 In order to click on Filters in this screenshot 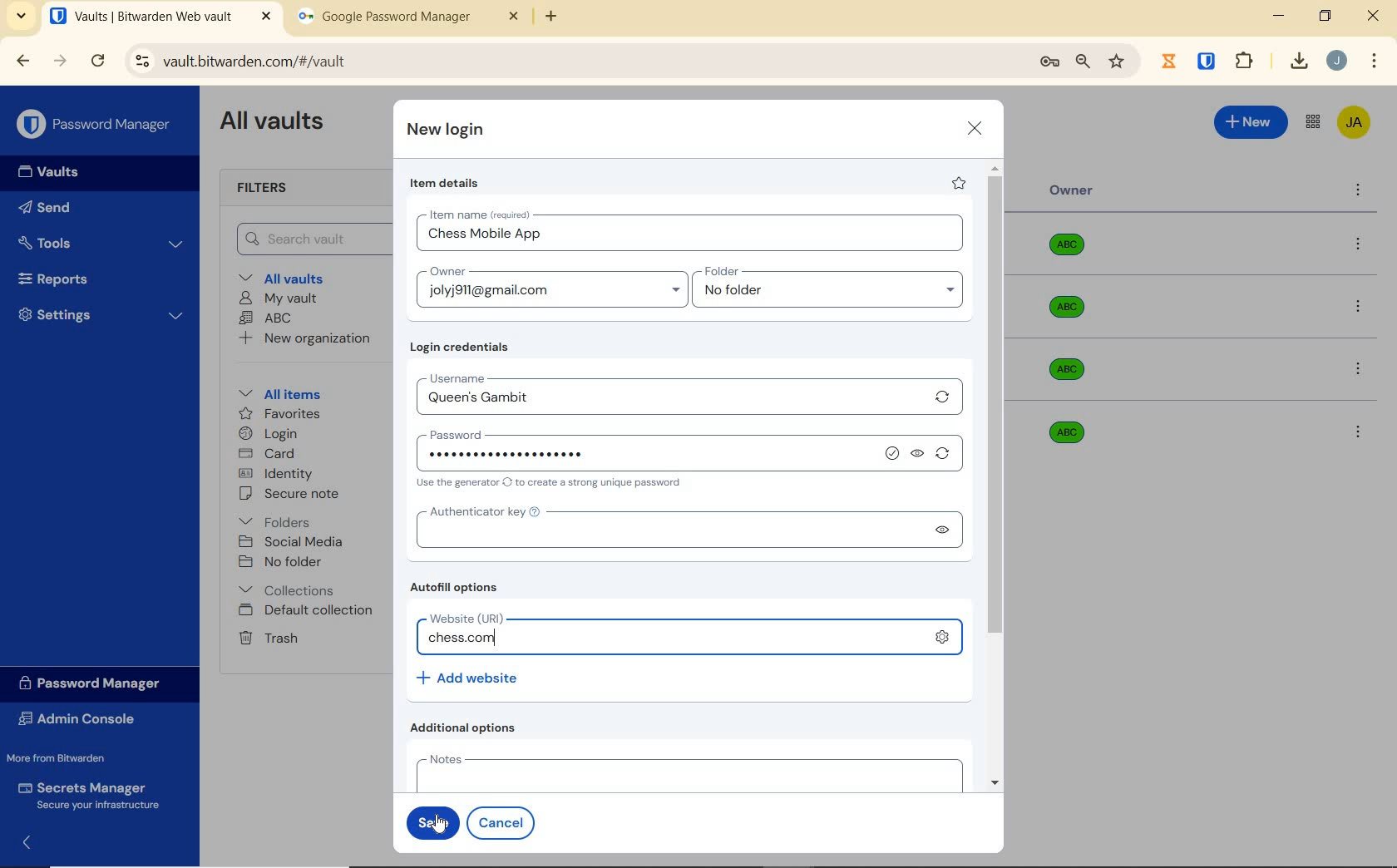, I will do `click(268, 189)`.